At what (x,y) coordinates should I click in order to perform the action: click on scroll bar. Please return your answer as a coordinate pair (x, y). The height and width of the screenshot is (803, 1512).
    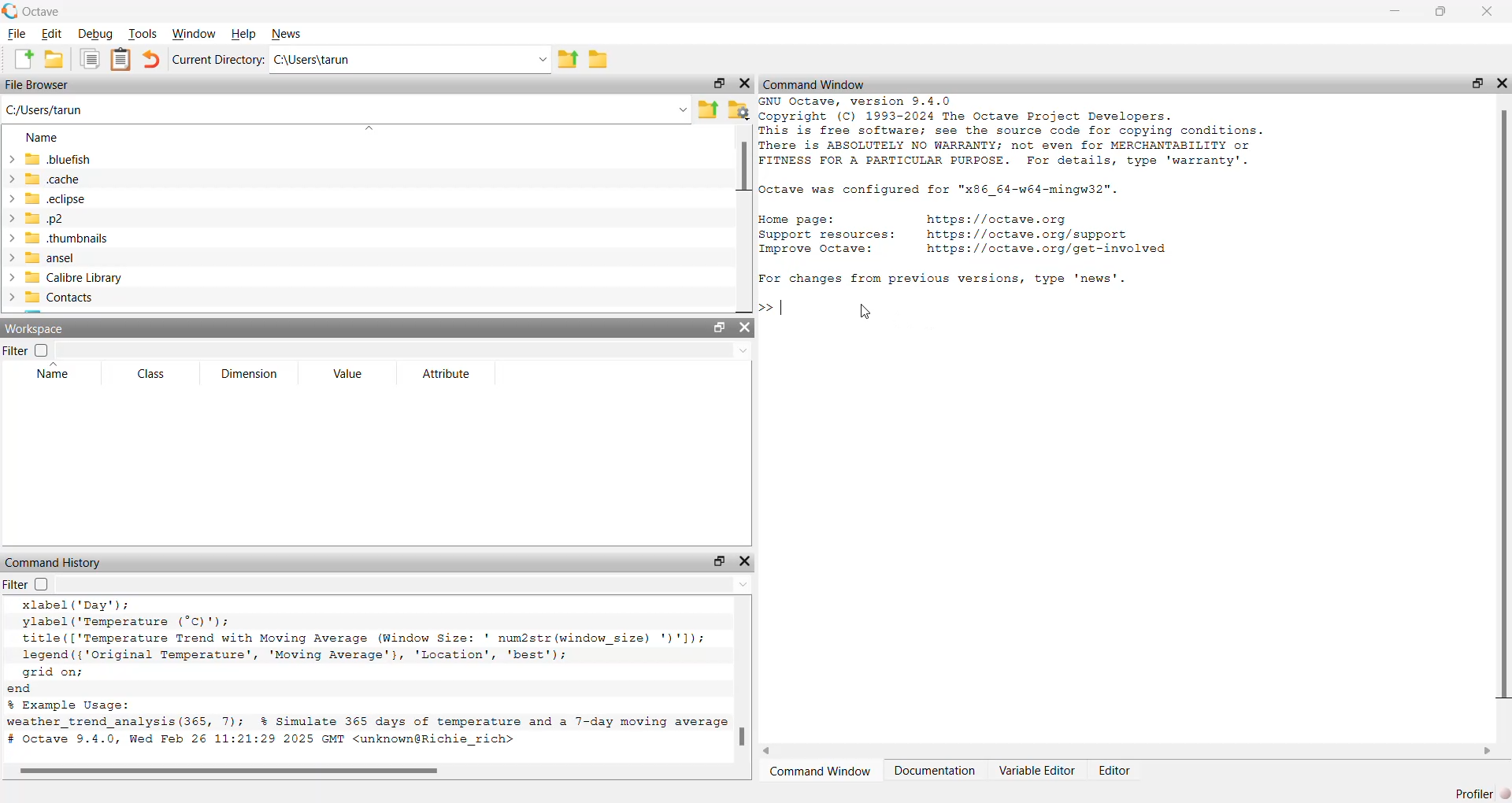
    Looking at the image, I should click on (1503, 408).